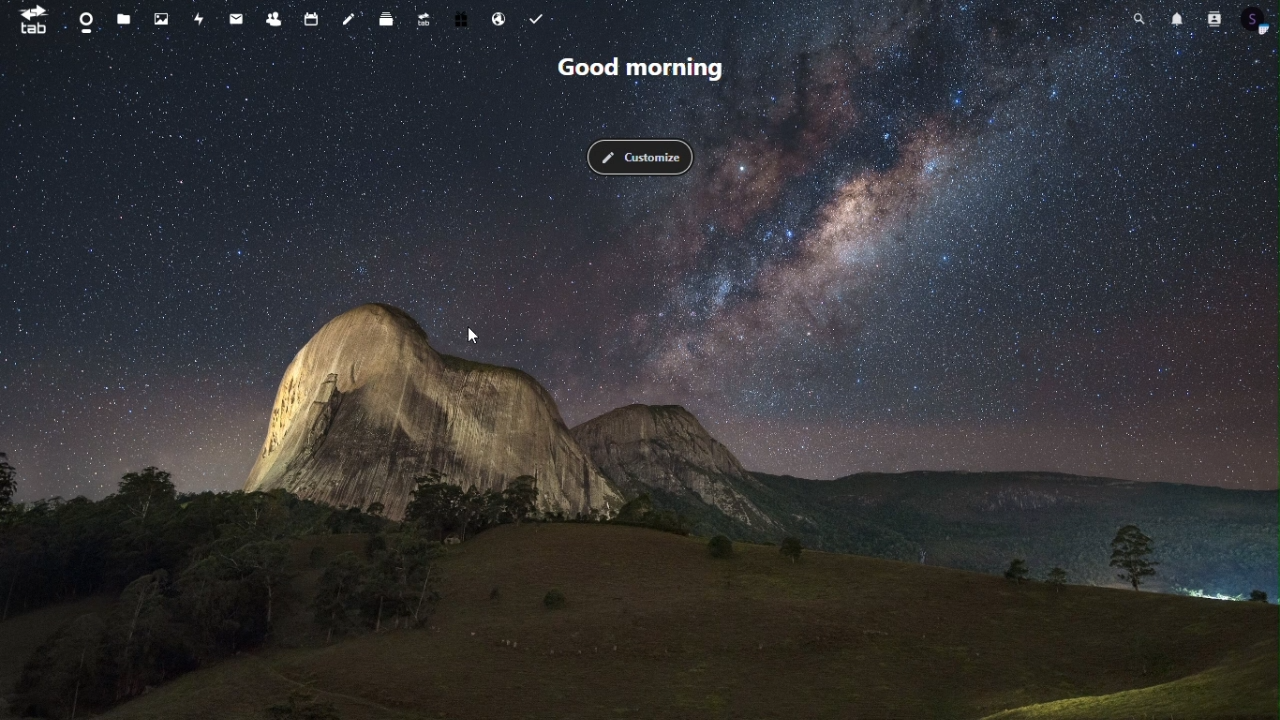 This screenshot has height=720, width=1280. Describe the element at coordinates (1213, 20) in the screenshot. I see `contacts` at that location.